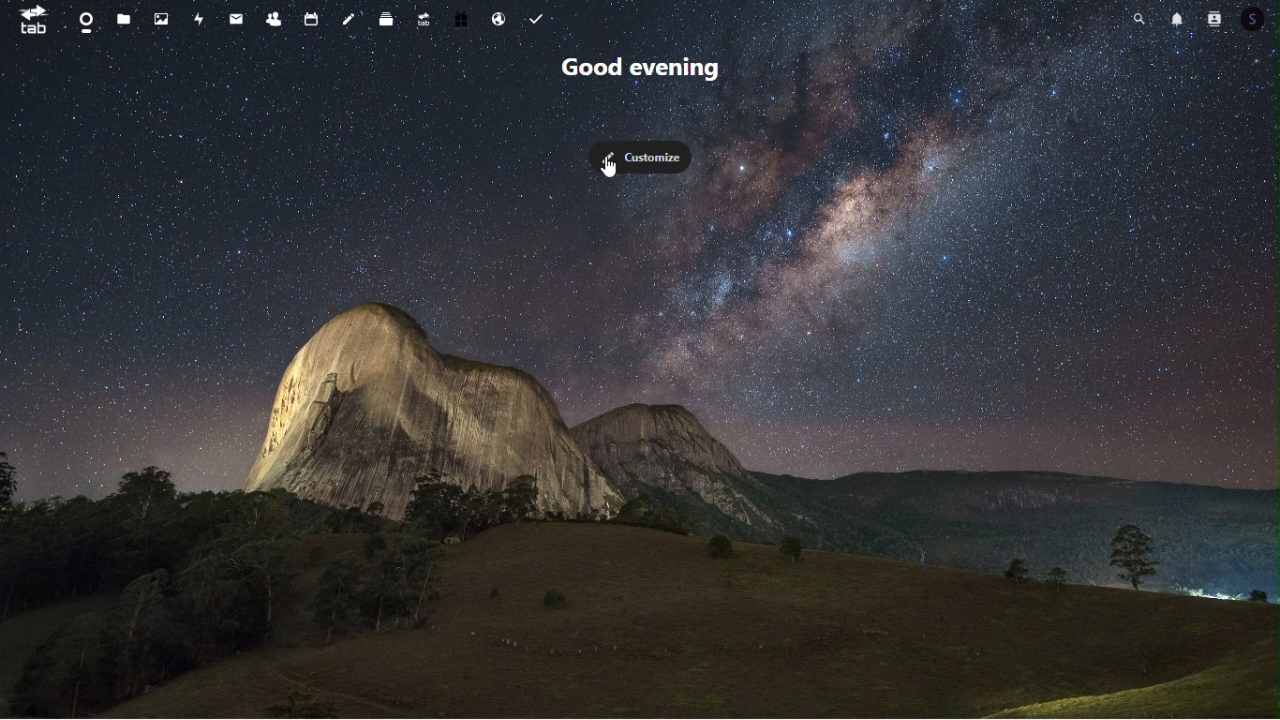 The image size is (1280, 720). I want to click on Account icon, so click(1259, 19).